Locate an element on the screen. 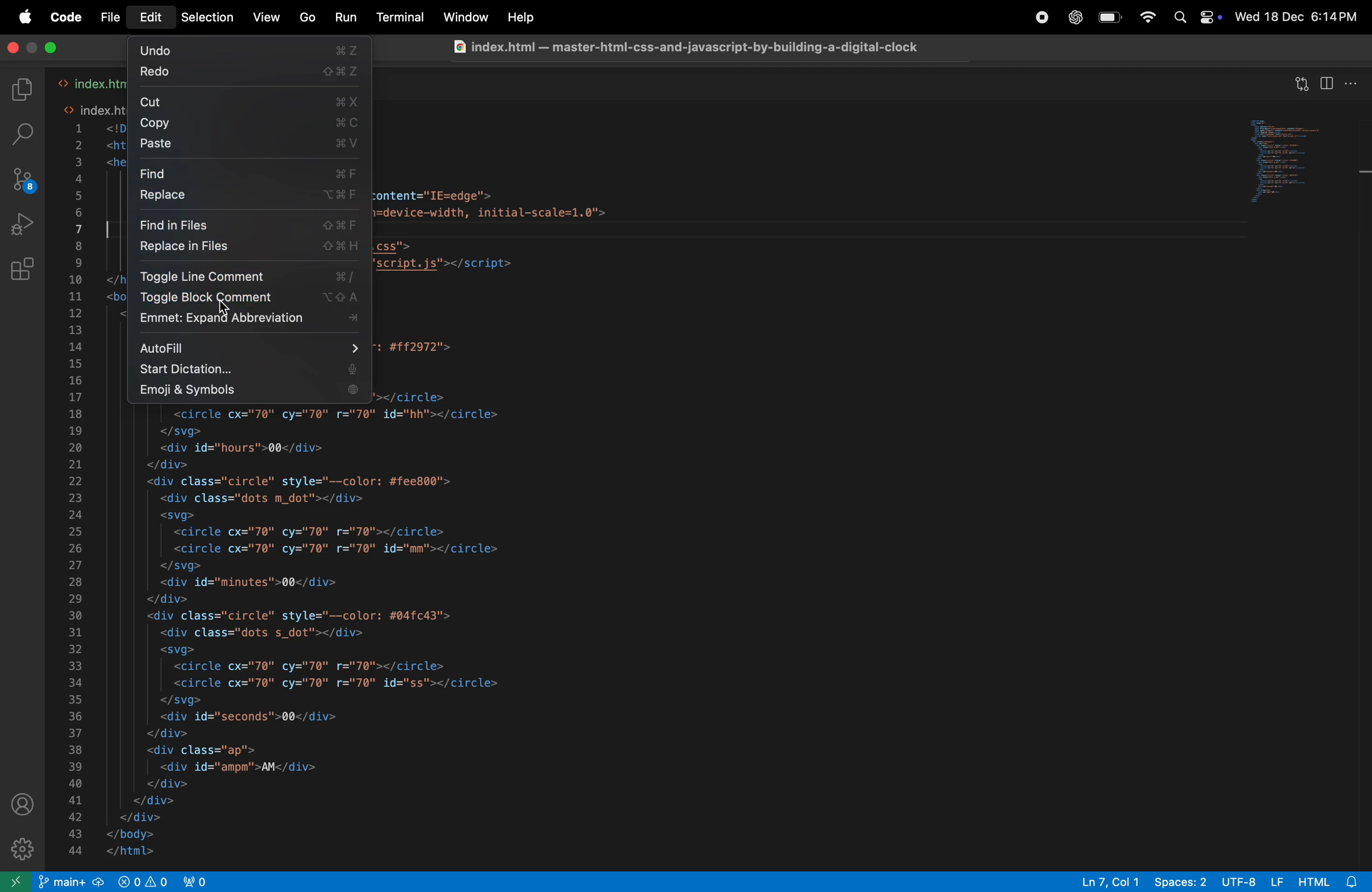  profile is located at coordinates (20, 807).